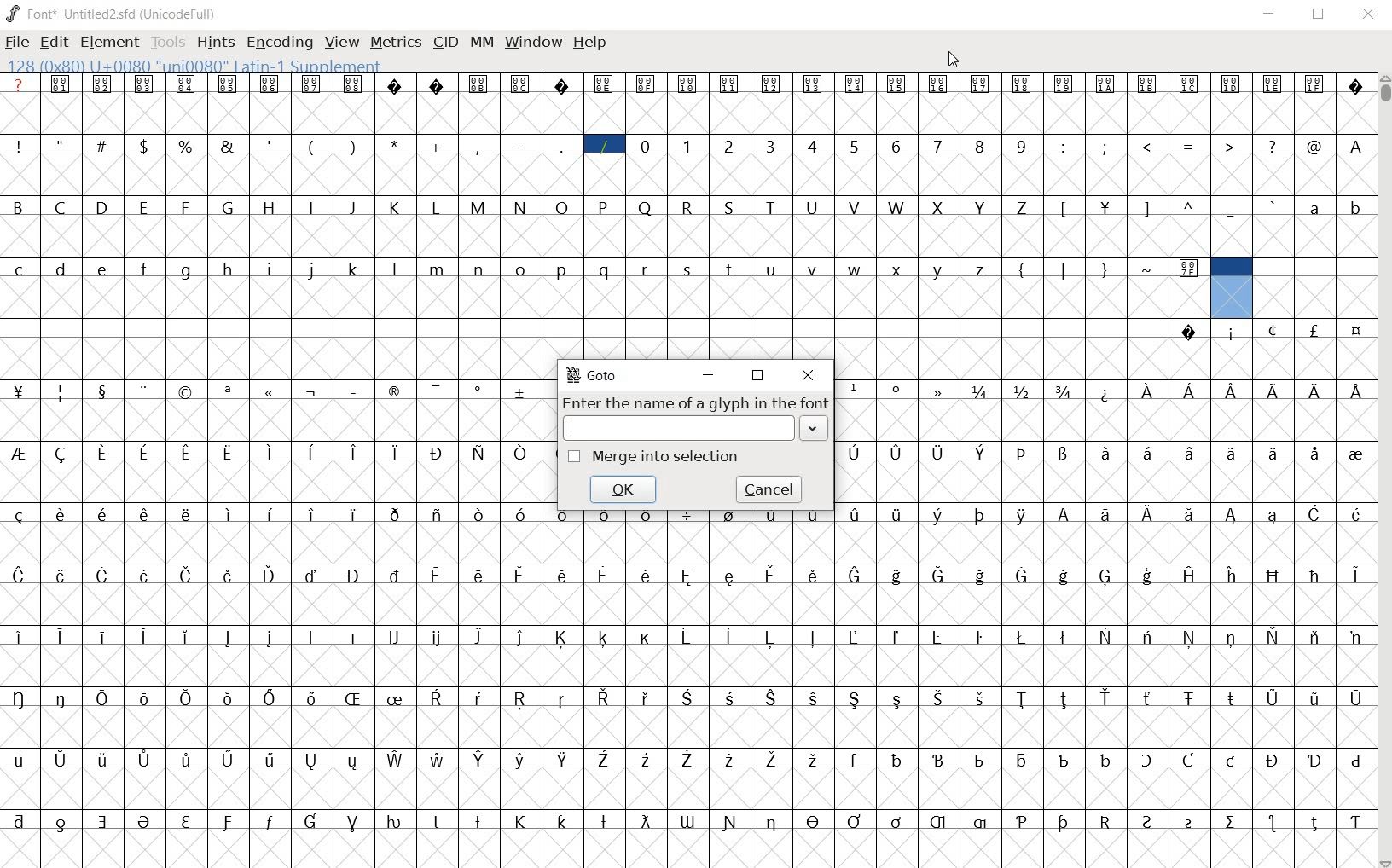 This screenshot has width=1392, height=868. I want to click on 3, so click(772, 146).